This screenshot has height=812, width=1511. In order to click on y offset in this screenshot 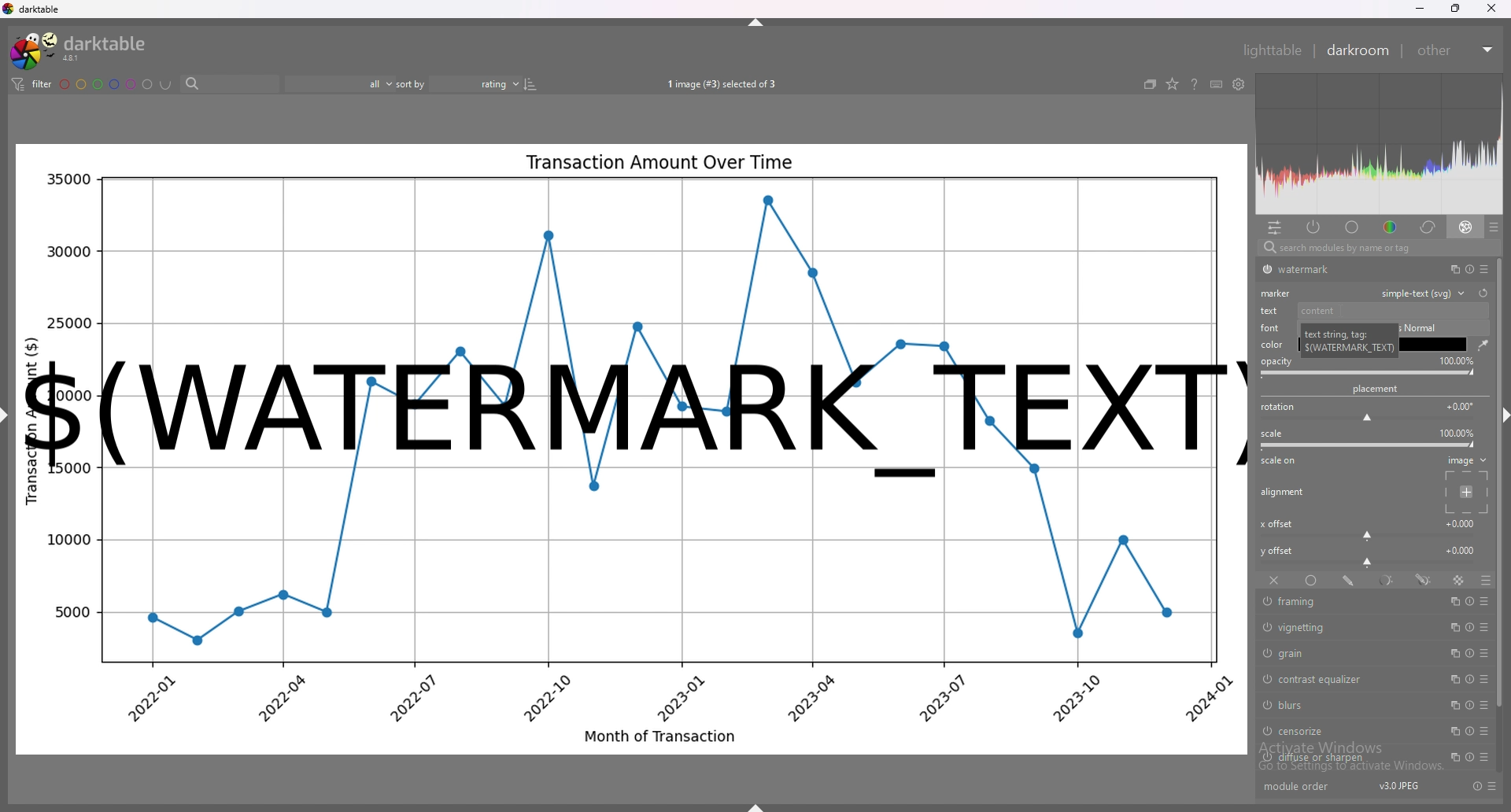, I will do `click(1279, 551)`.